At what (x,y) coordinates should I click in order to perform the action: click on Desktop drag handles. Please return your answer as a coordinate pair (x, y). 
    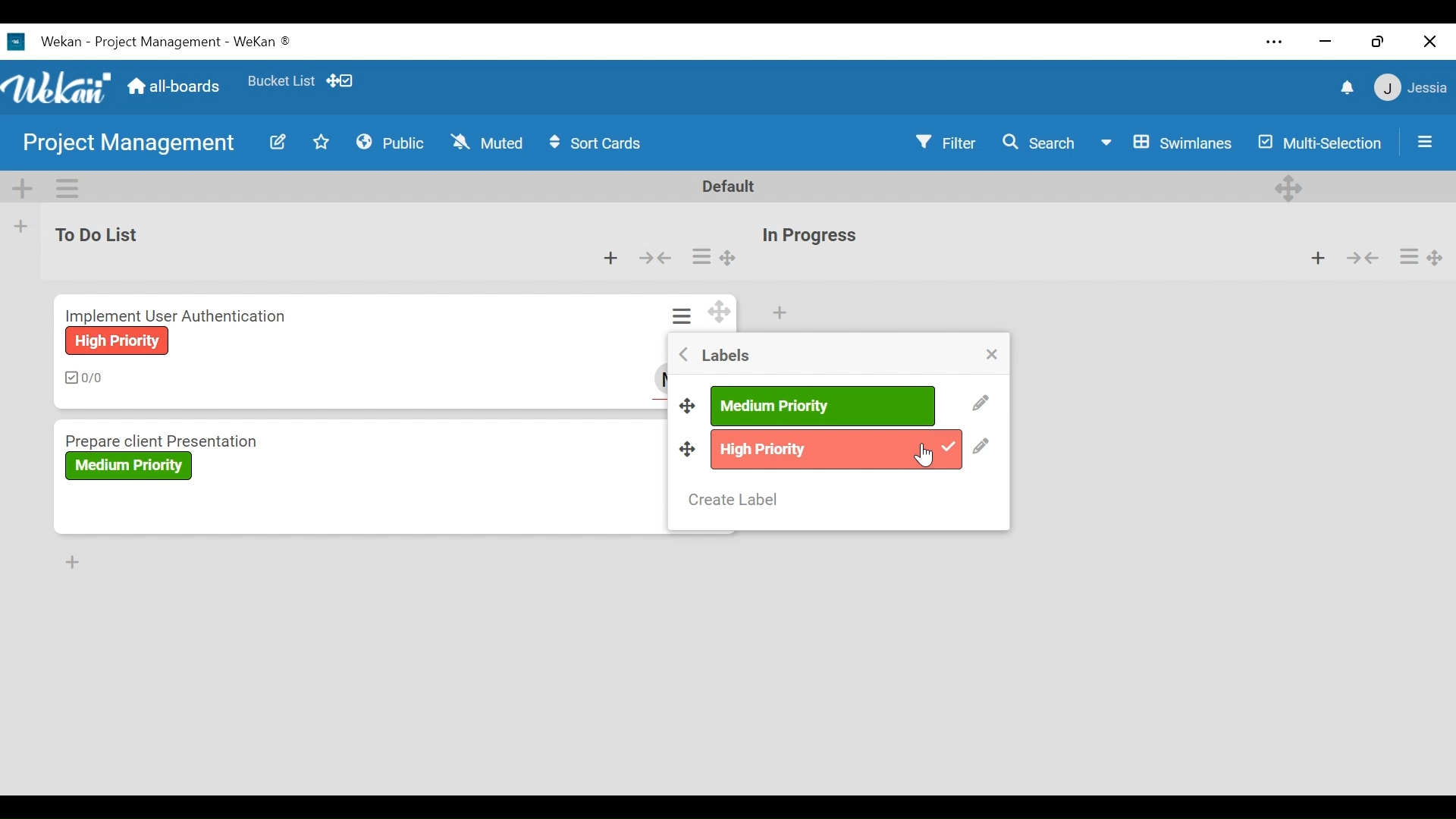
    Looking at the image, I should click on (1439, 257).